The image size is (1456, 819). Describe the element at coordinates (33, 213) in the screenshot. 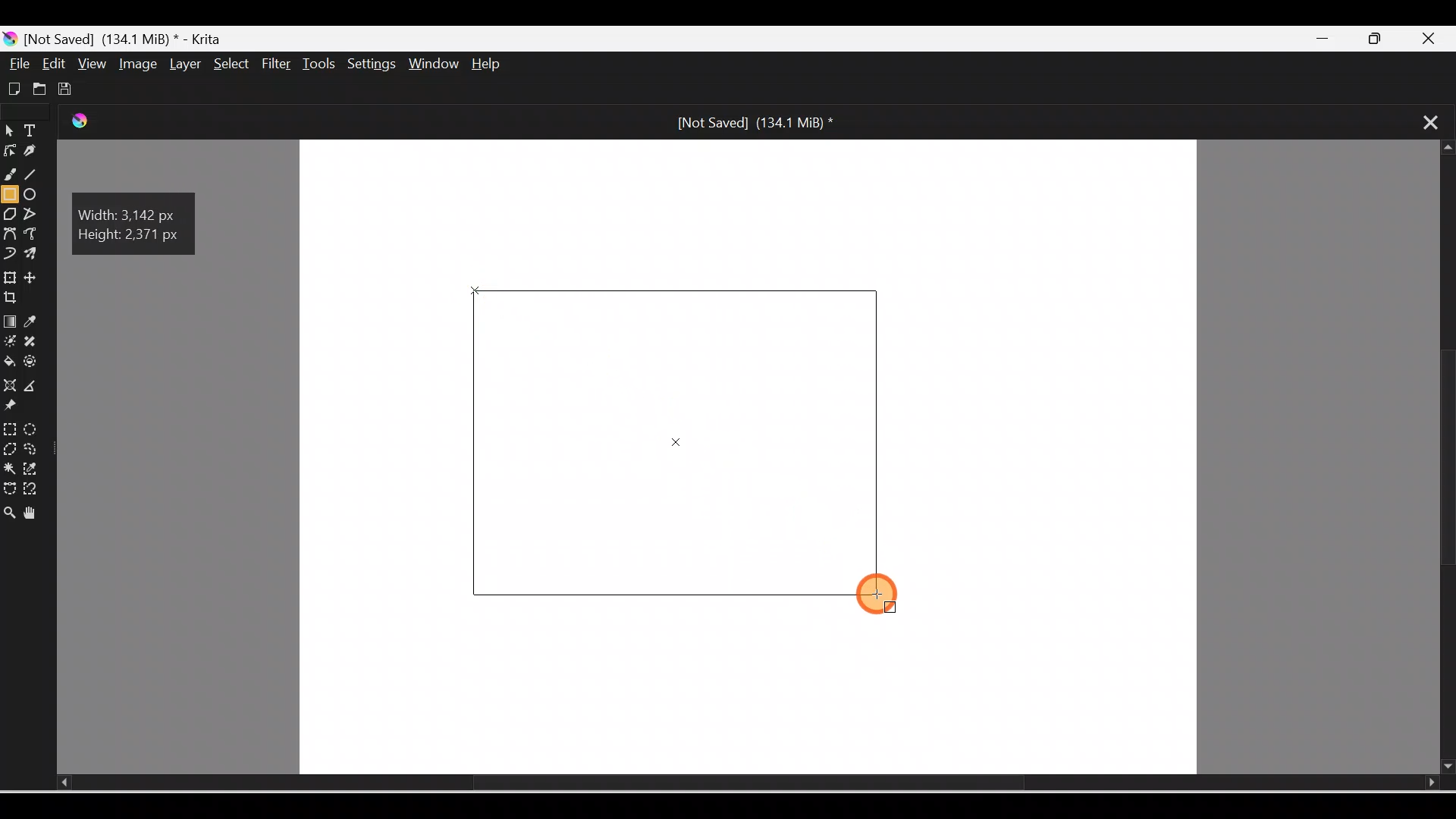

I see `Polyline` at that location.